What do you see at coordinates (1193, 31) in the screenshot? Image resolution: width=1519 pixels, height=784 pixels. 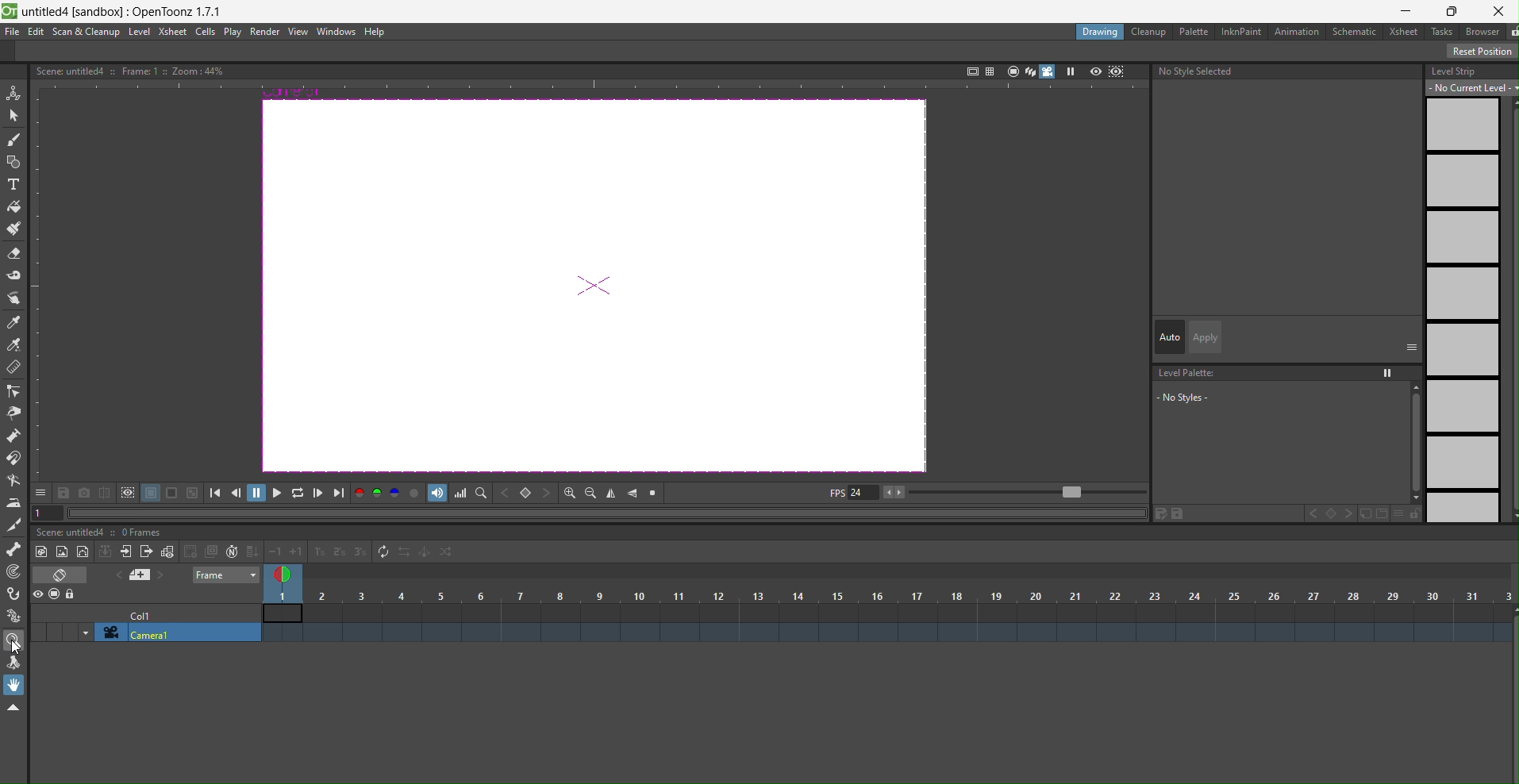 I see `palette` at bounding box center [1193, 31].